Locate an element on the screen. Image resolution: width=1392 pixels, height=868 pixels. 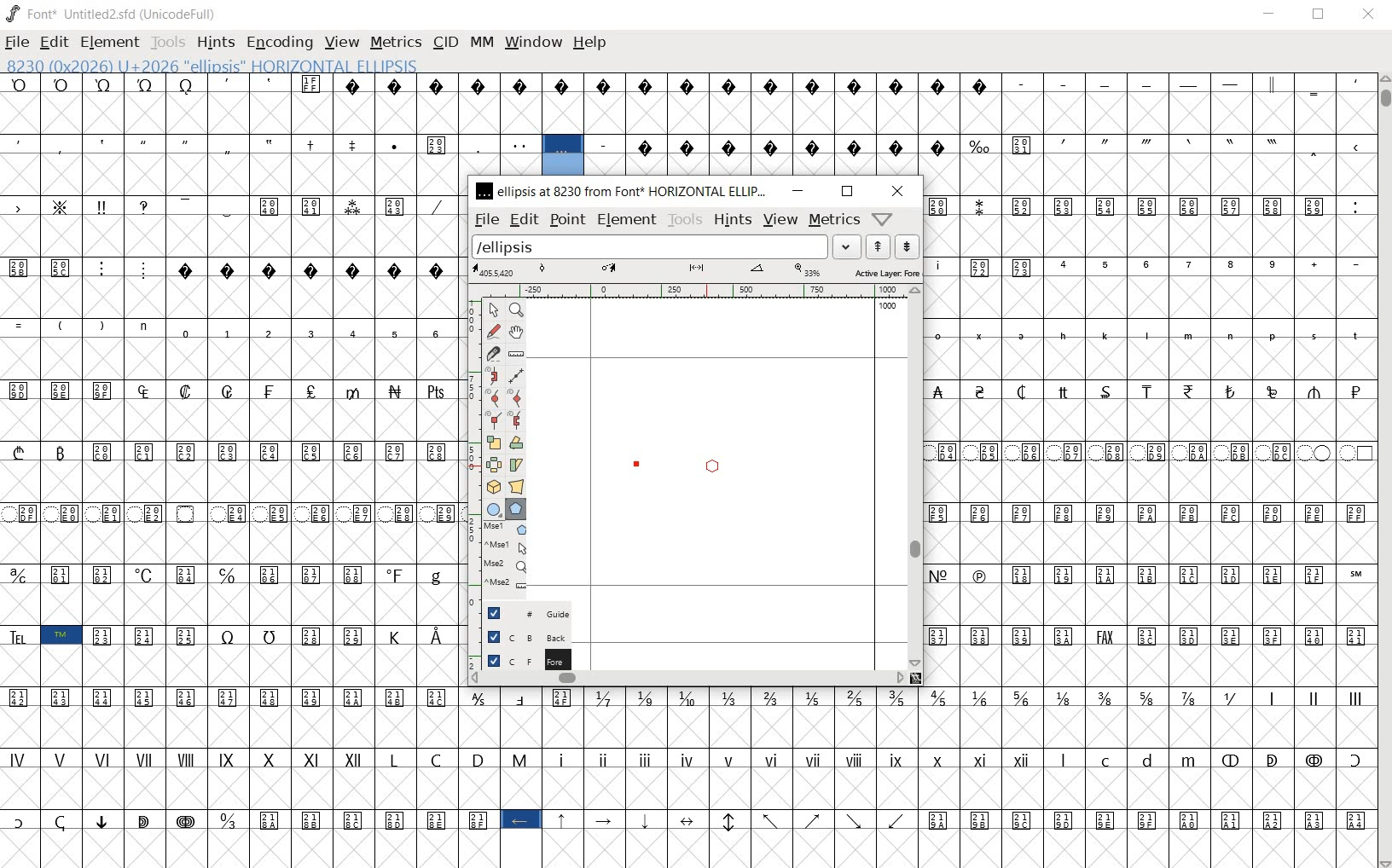
file is located at coordinates (485, 219).